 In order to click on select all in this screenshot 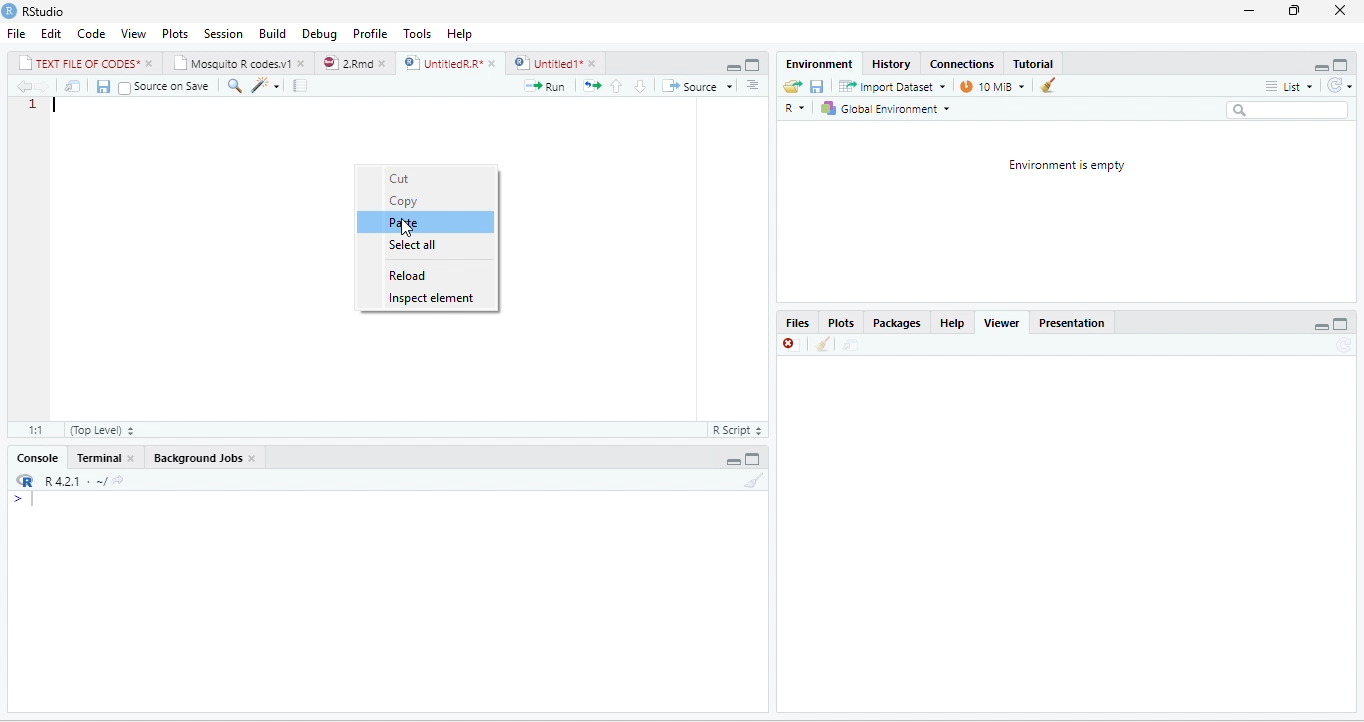, I will do `click(412, 245)`.